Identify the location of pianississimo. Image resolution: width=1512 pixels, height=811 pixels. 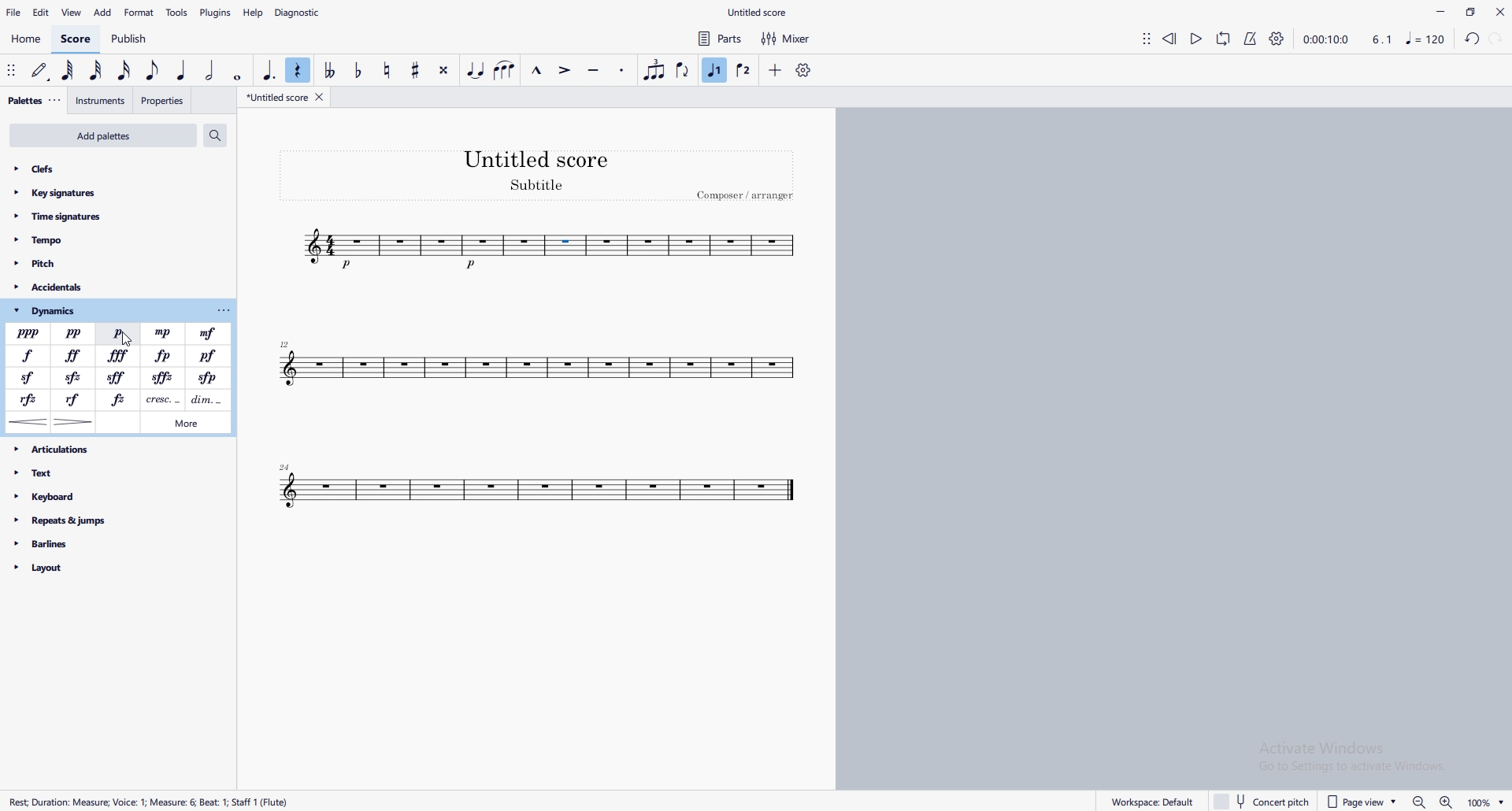
(27, 333).